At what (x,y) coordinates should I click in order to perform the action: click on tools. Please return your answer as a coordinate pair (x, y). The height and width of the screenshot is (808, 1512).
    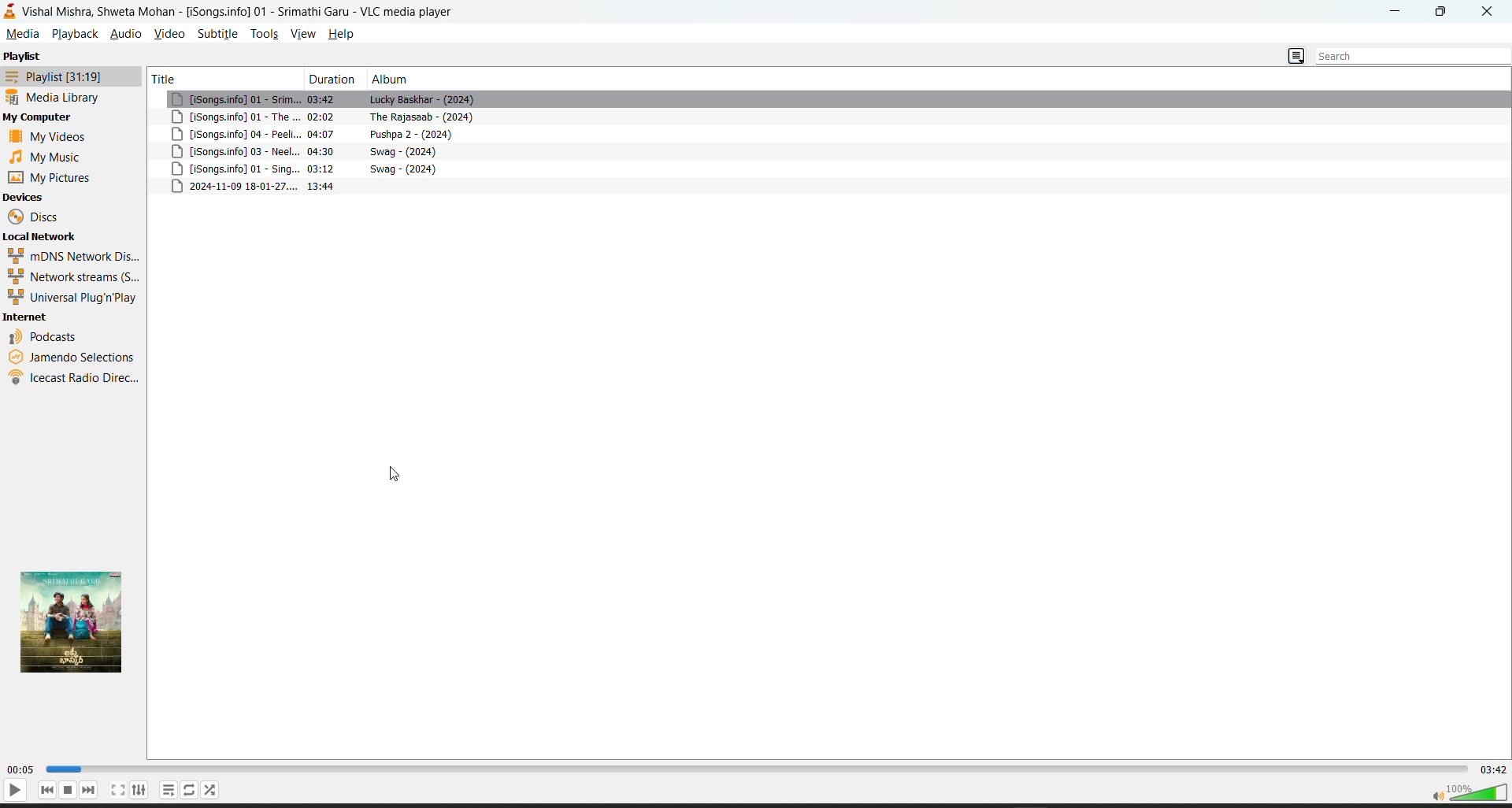
    Looking at the image, I should click on (262, 33).